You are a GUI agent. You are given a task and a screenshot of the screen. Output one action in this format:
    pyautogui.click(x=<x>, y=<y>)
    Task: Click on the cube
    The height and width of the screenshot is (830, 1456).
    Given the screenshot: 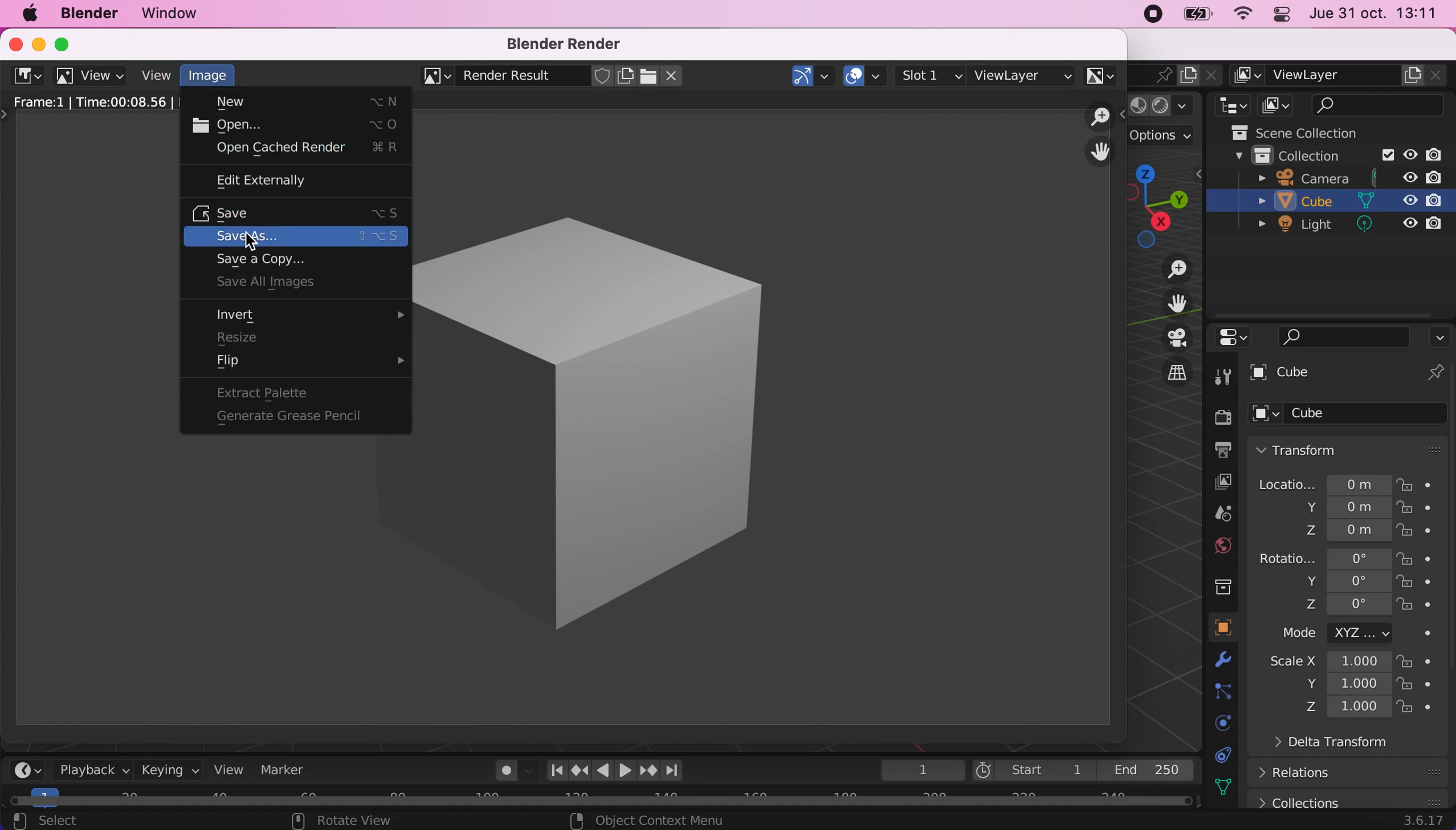 What is the action you would take?
    pyautogui.click(x=1336, y=203)
    